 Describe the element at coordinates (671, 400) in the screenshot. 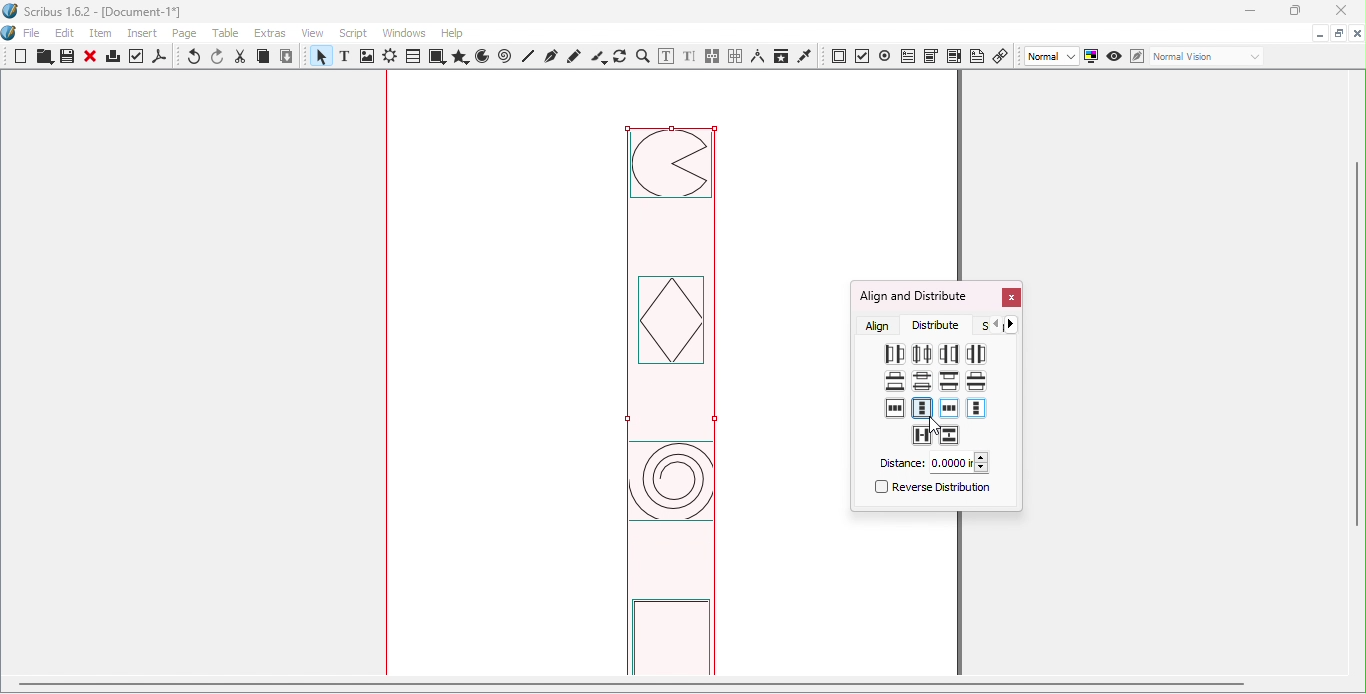

I see `image aligned` at that location.